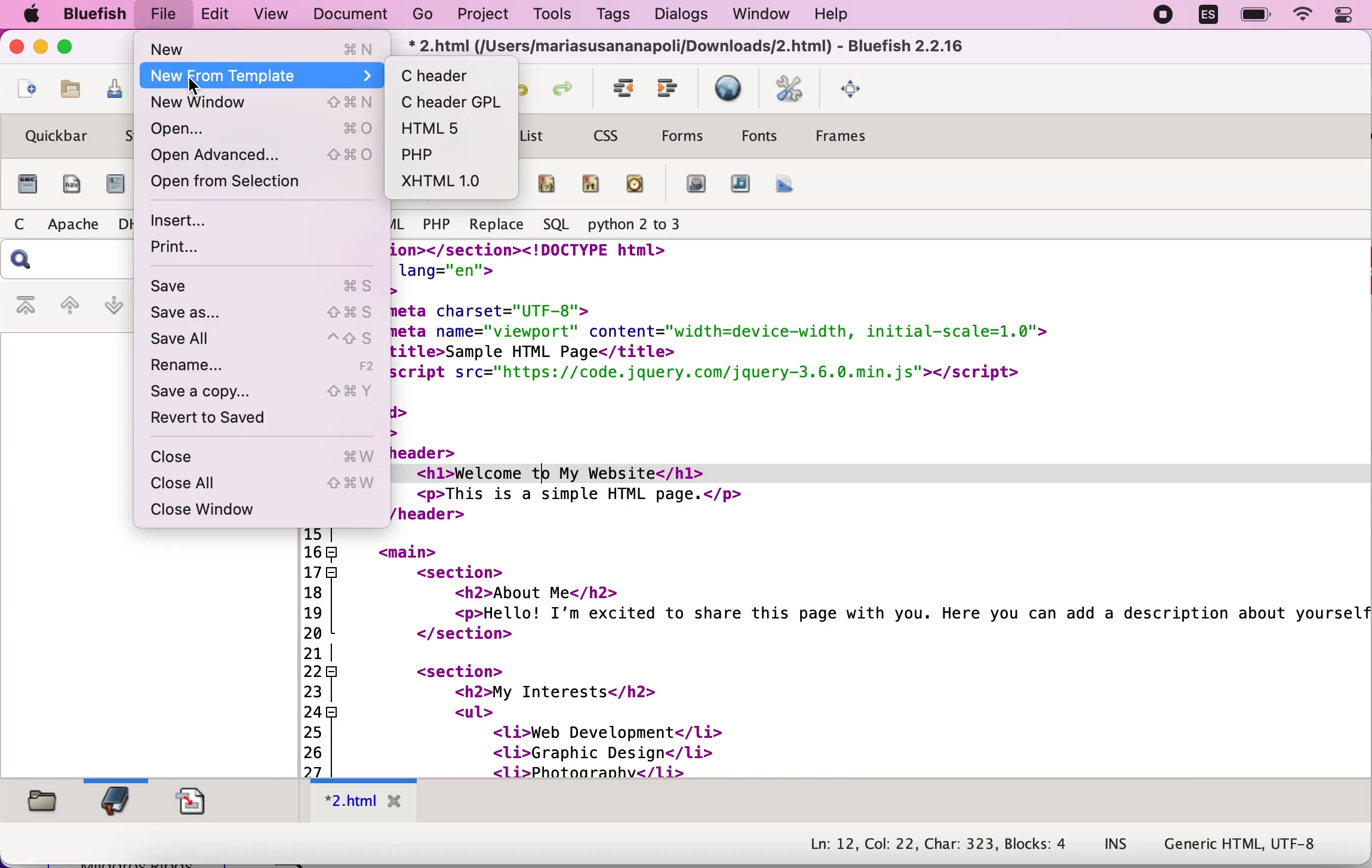  What do you see at coordinates (125, 223) in the screenshot?
I see `DH` at bounding box center [125, 223].